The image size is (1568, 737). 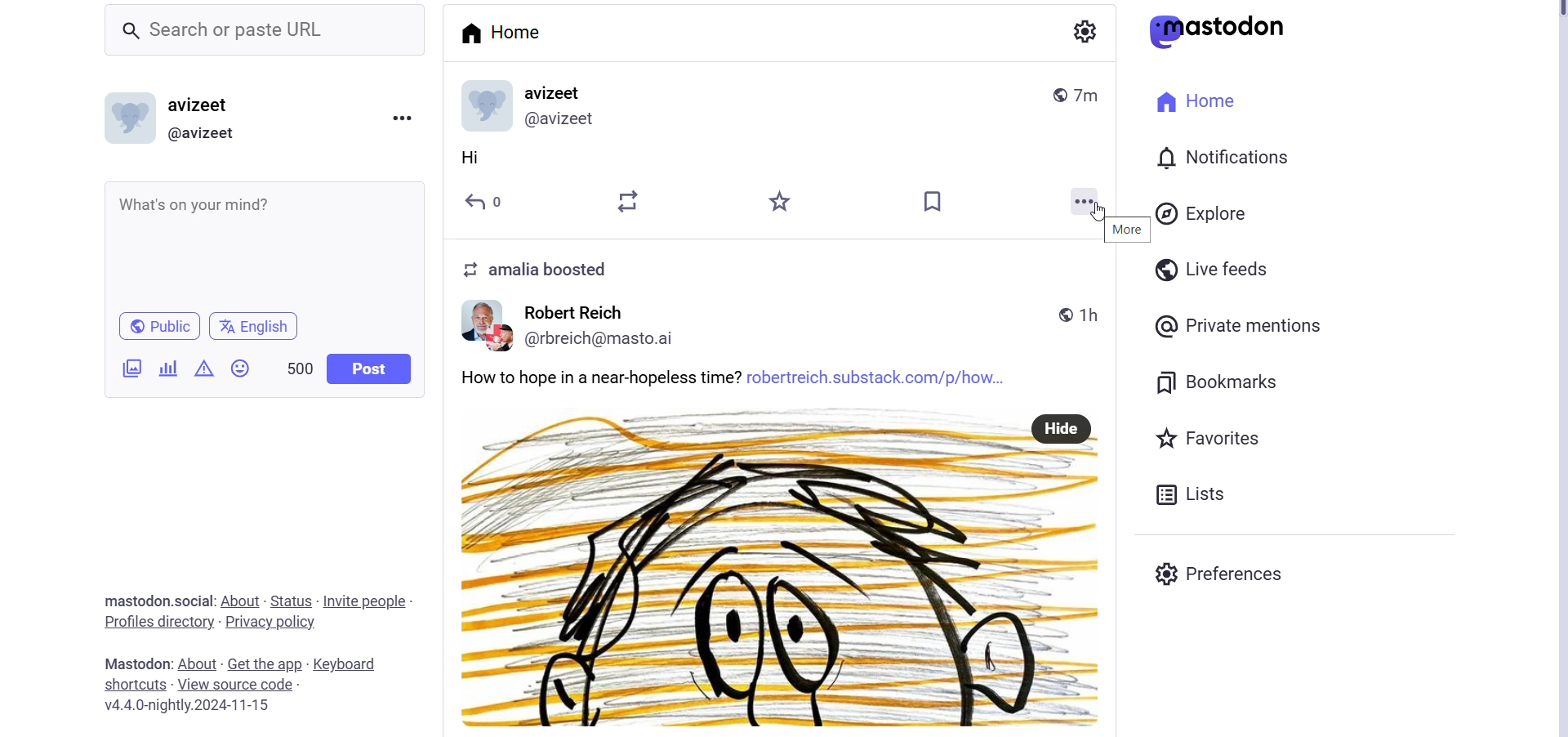 What do you see at coordinates (492, 202) in the screenshot?
I see `Reply` at bounding box center [492, 202].